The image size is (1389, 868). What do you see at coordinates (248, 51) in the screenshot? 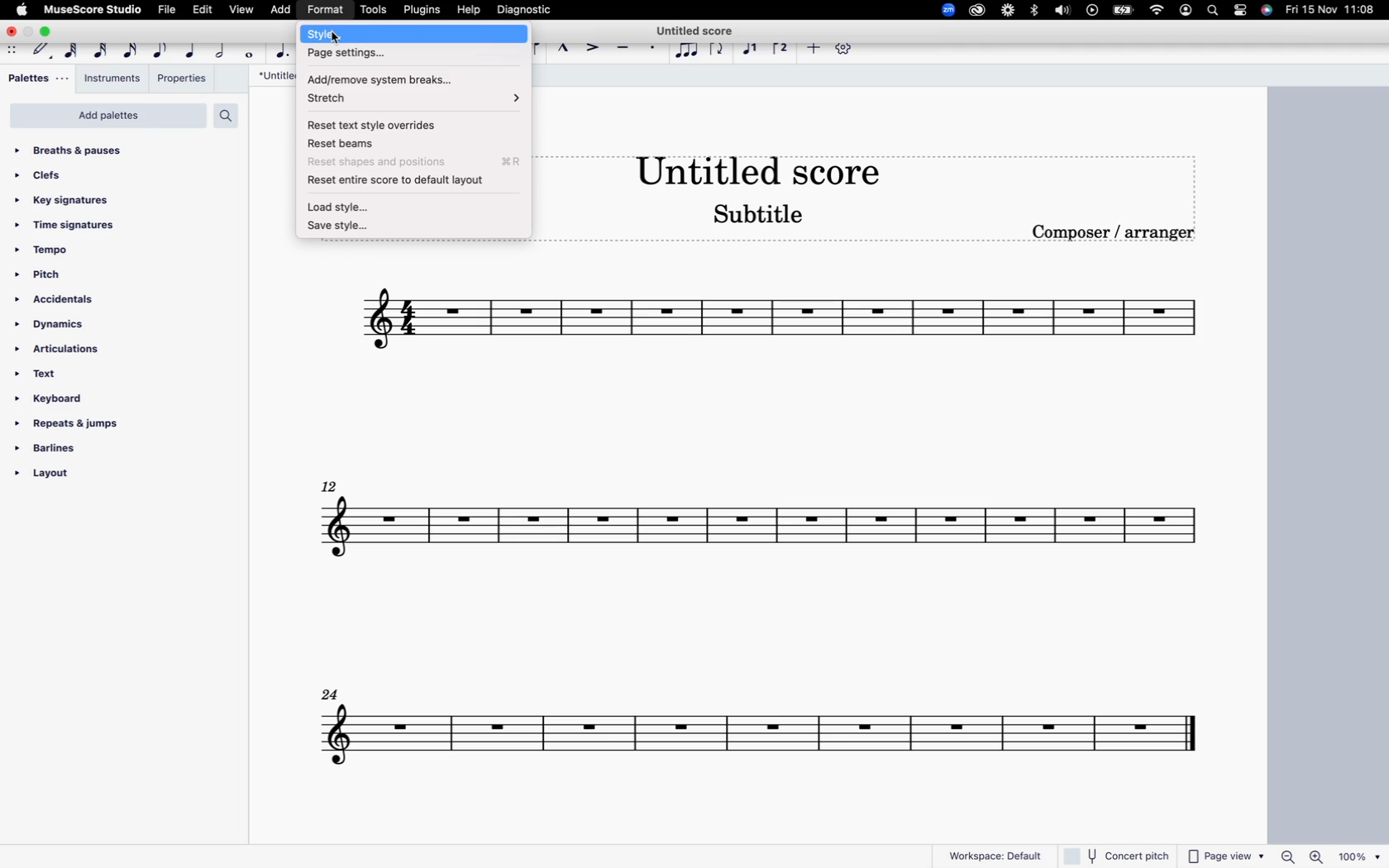
I see `full note` at bounding box center [248, 51].